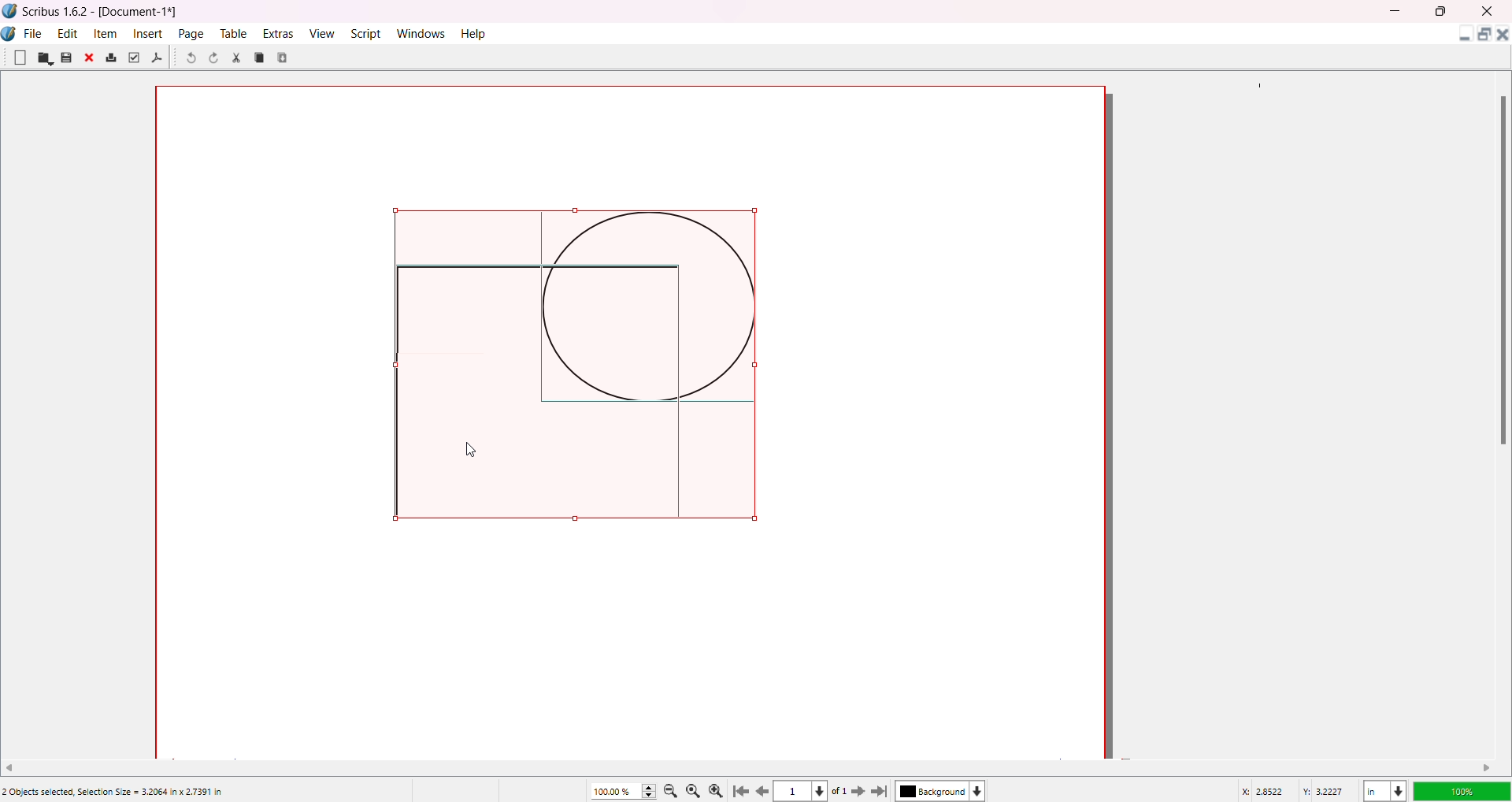 The image size is (1512, 802). Describe the element at coordinates (765, 793) in the screenshot. I see `previous` at that location.